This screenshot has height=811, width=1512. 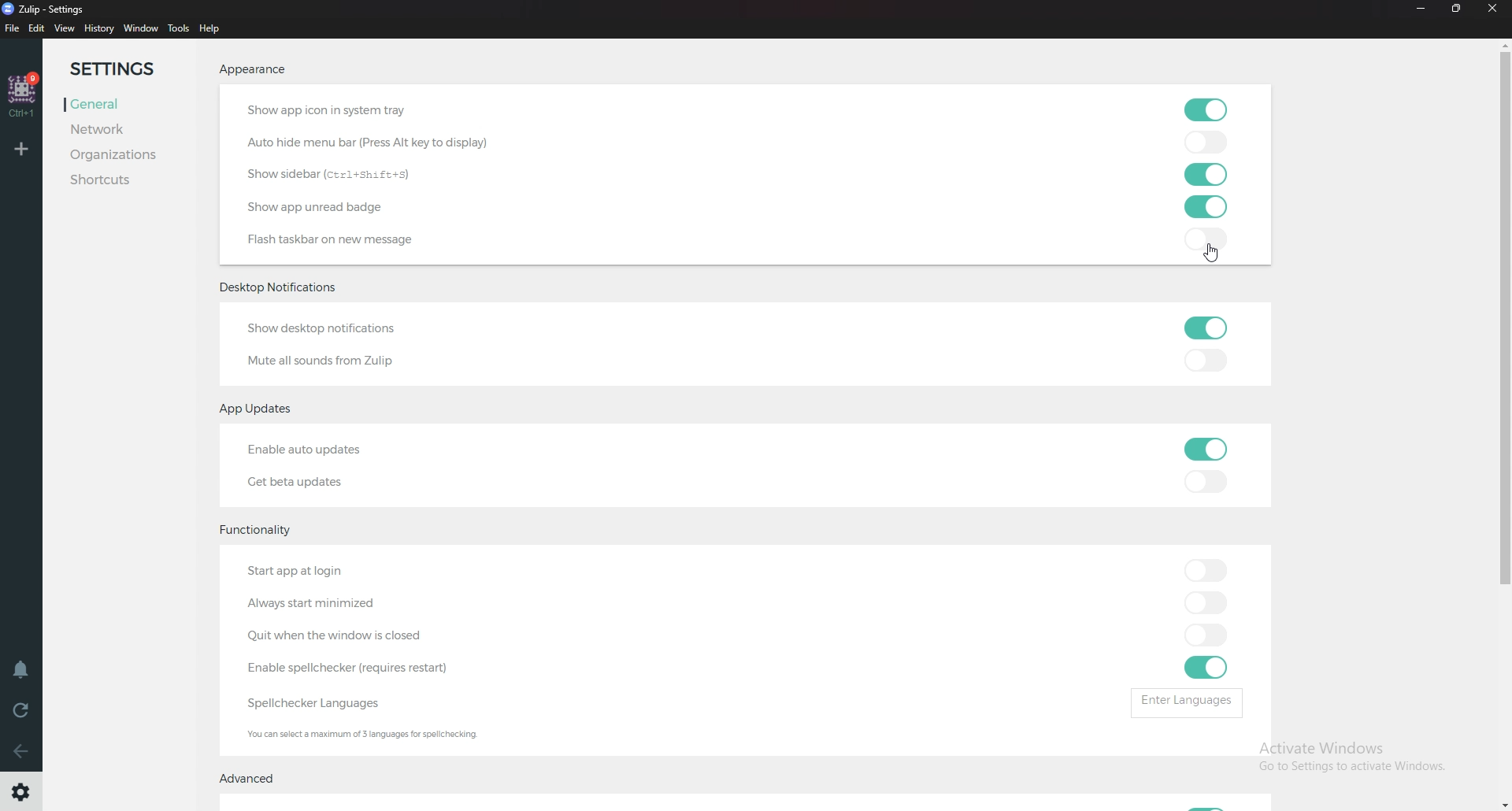 I want to click on Reload, so click(x=22, y=710).